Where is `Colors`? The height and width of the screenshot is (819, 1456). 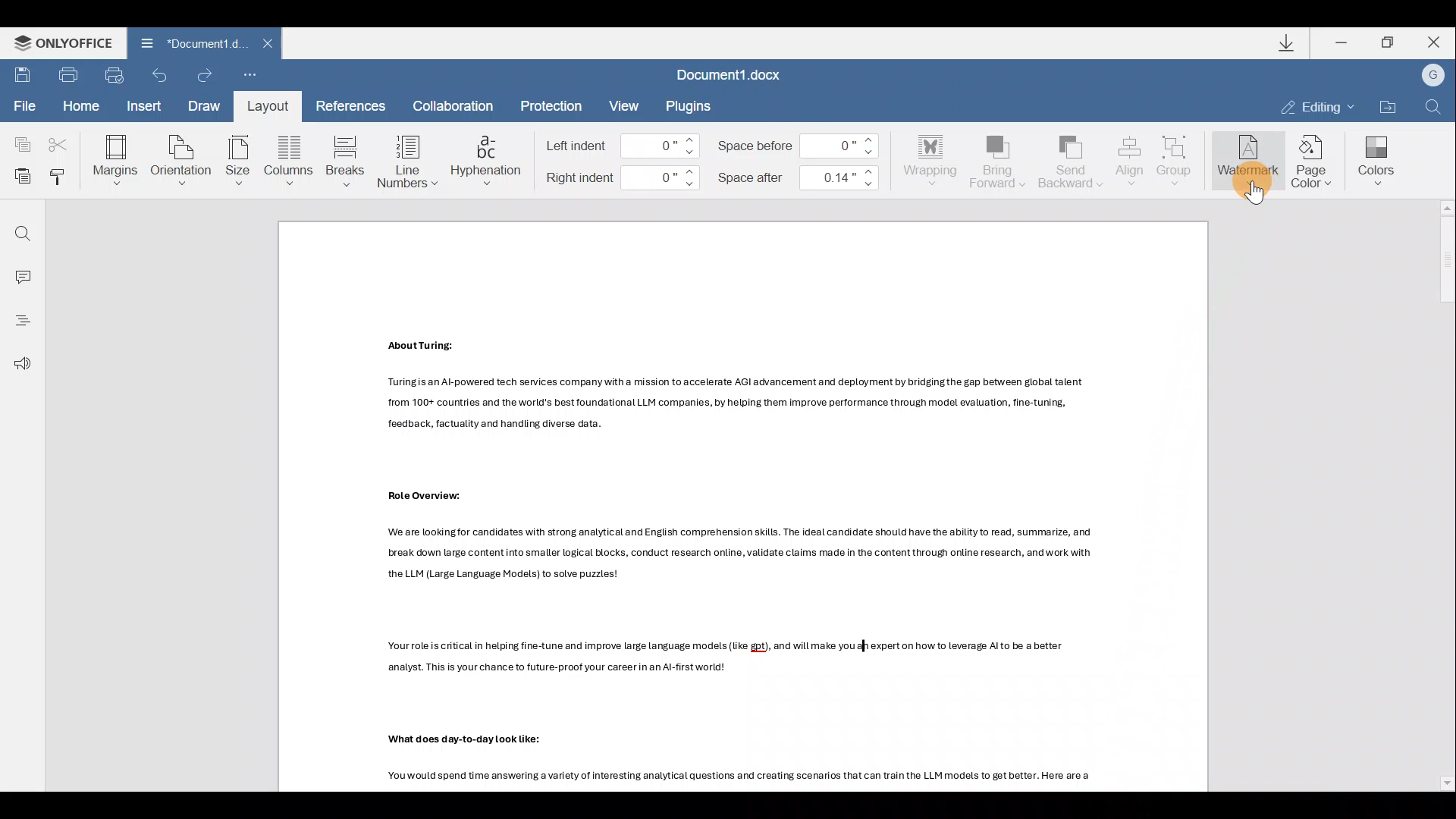 Colors is located at coordinates (1375, 162).